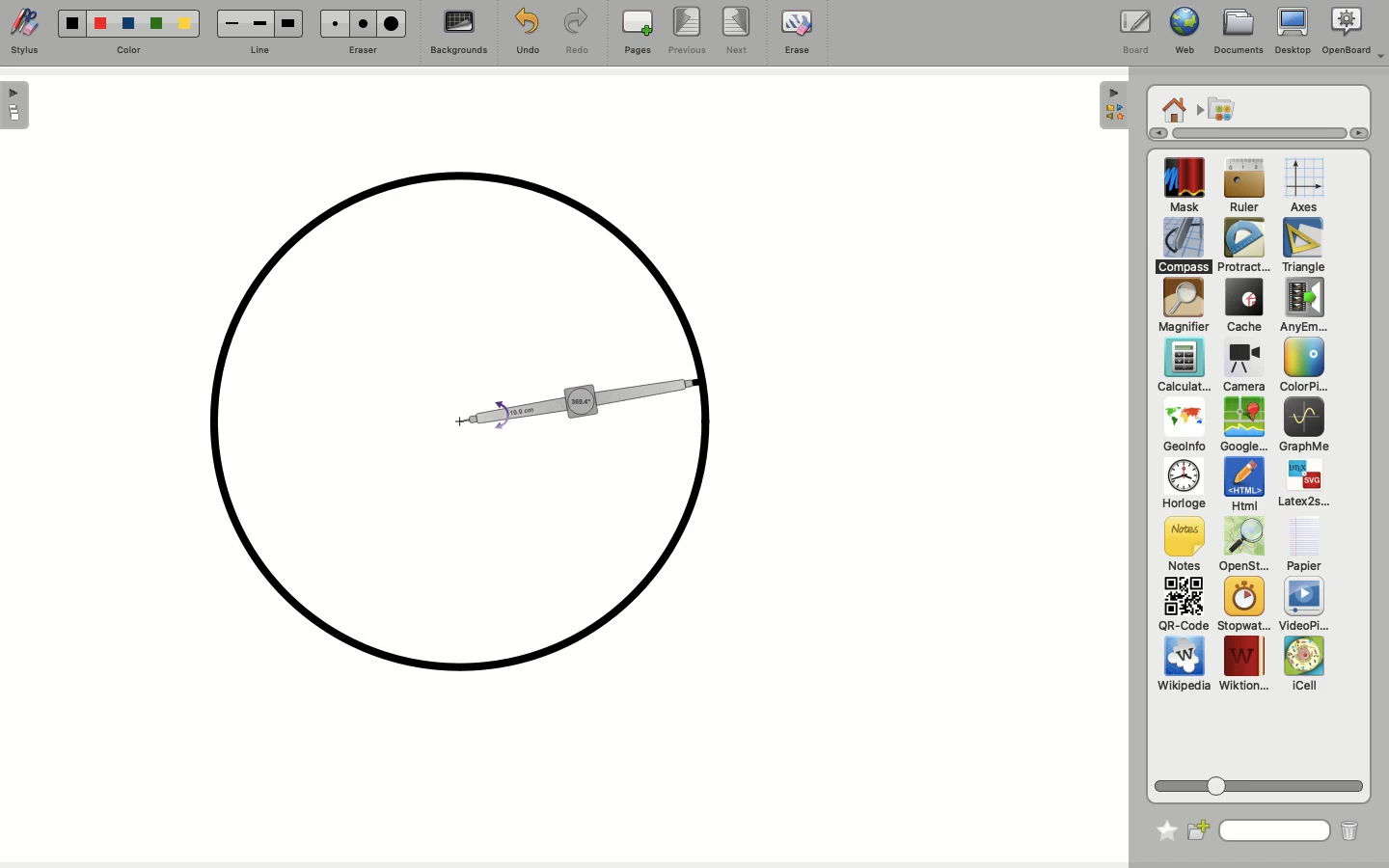 The height and width of the screenshot is (868, 1389). Describe the element at coordinates (1134, 32) in the screenshot. I see `Board` at that location.